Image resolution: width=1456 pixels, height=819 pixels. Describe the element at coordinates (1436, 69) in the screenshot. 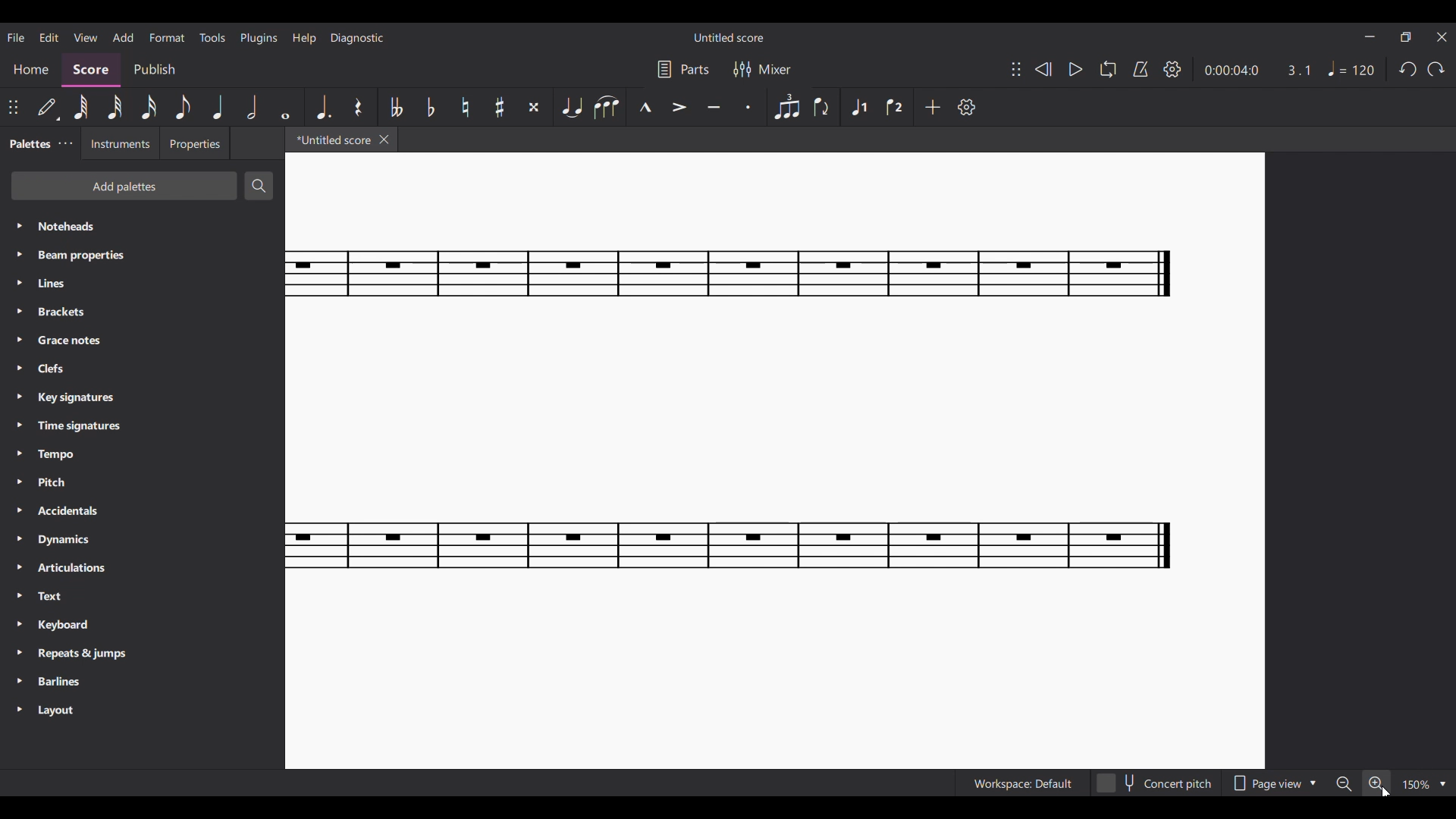

I see `Redo` at that location.